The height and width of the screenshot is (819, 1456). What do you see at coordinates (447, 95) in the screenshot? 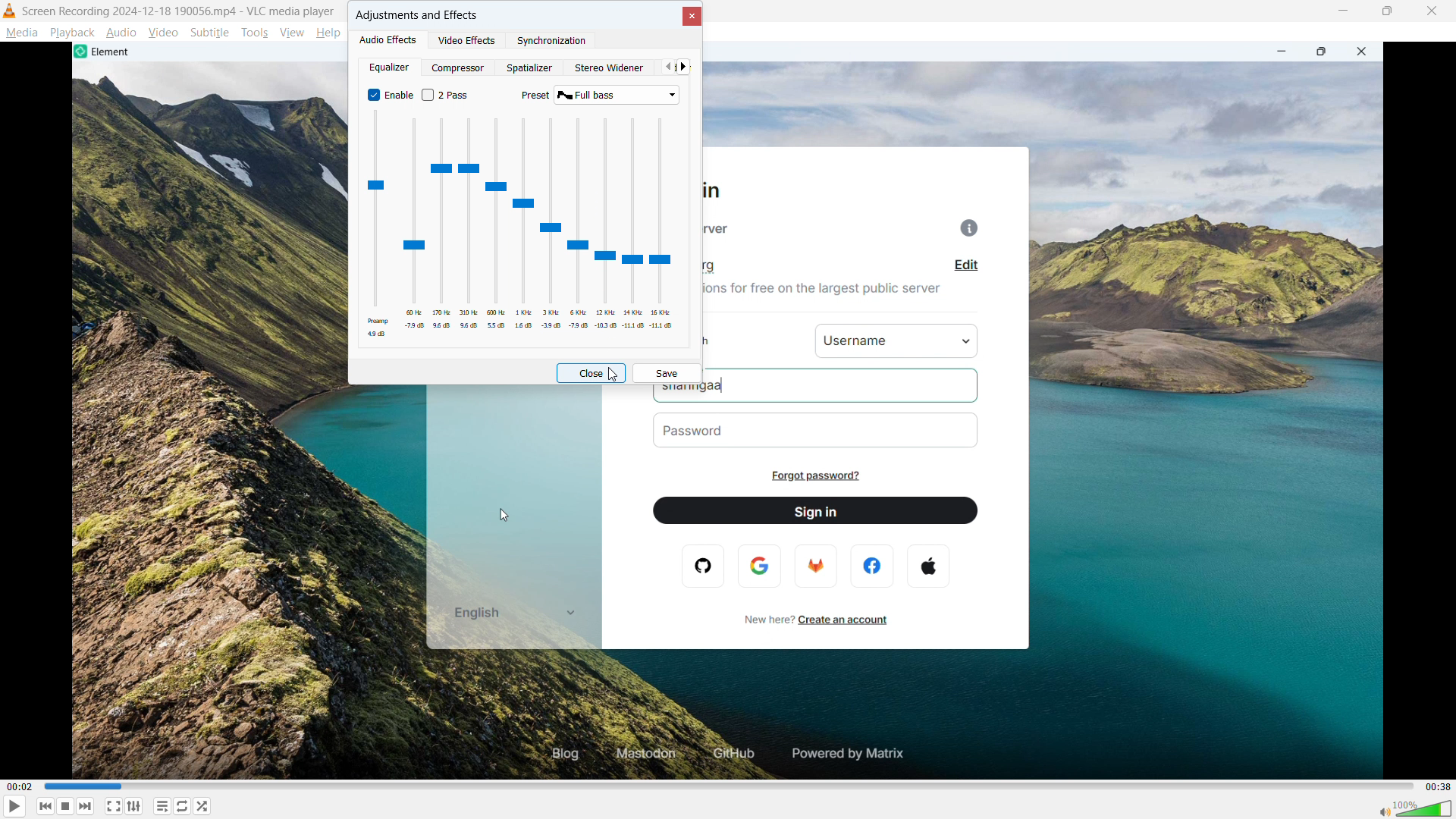
I see `Enable or disable 2 pass` at bounding box center [447, 95].